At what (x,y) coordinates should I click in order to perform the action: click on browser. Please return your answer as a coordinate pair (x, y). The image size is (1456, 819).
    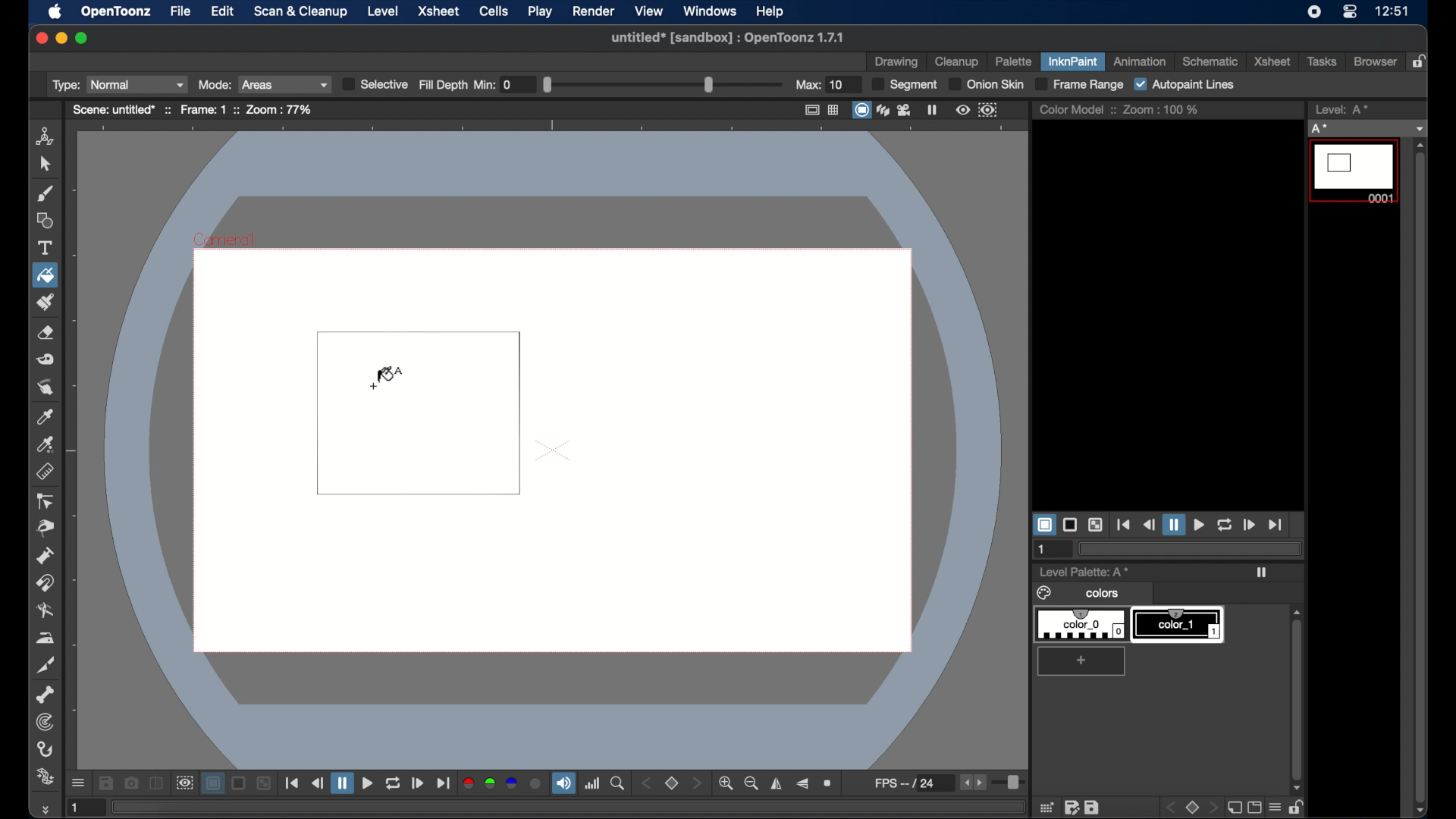
    Looking at the image, I should click on (1376, 61).